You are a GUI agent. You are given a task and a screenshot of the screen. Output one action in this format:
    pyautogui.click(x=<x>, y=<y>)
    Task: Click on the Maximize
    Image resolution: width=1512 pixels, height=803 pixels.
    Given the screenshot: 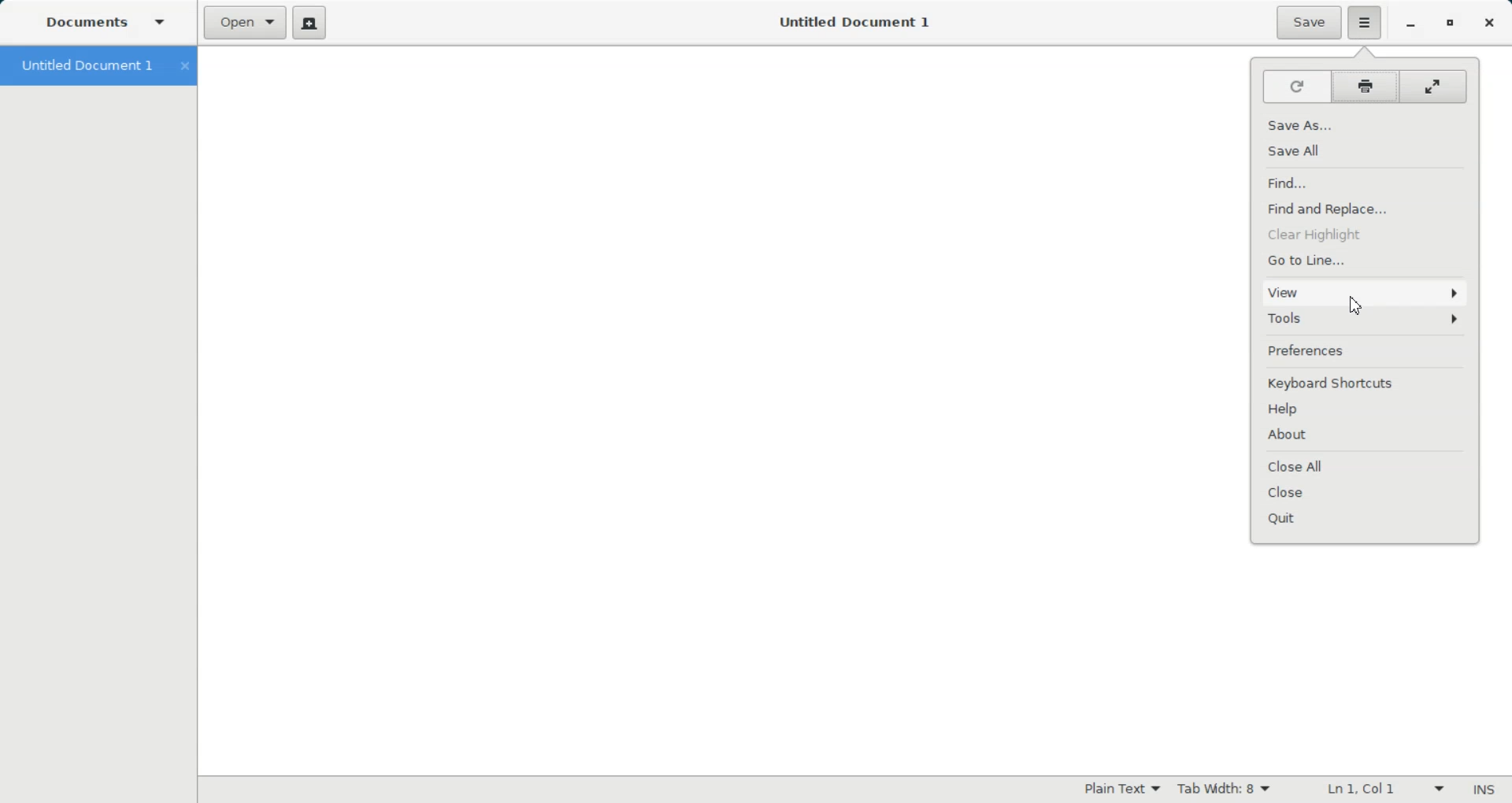 What is the action you would take?
    pyautogui.click(x=1451, y=23)
    